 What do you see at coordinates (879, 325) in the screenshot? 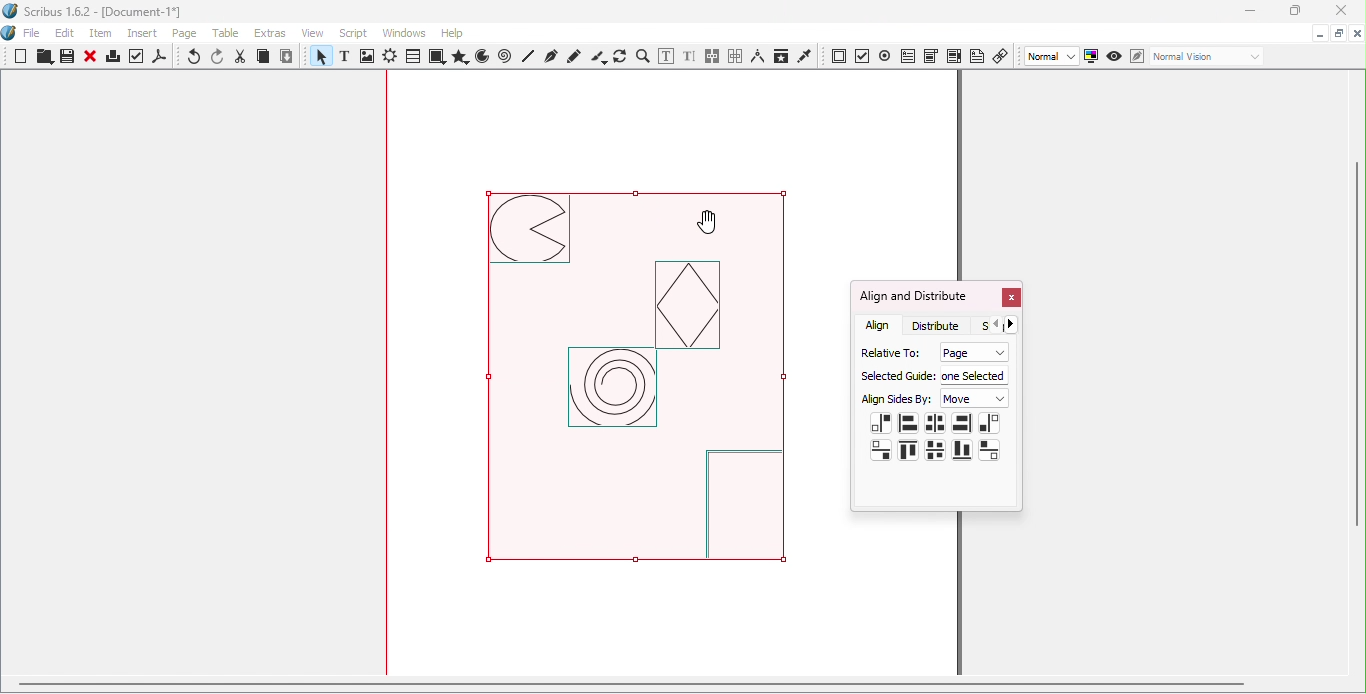
I see `Align` at bounding box center [879, 325].